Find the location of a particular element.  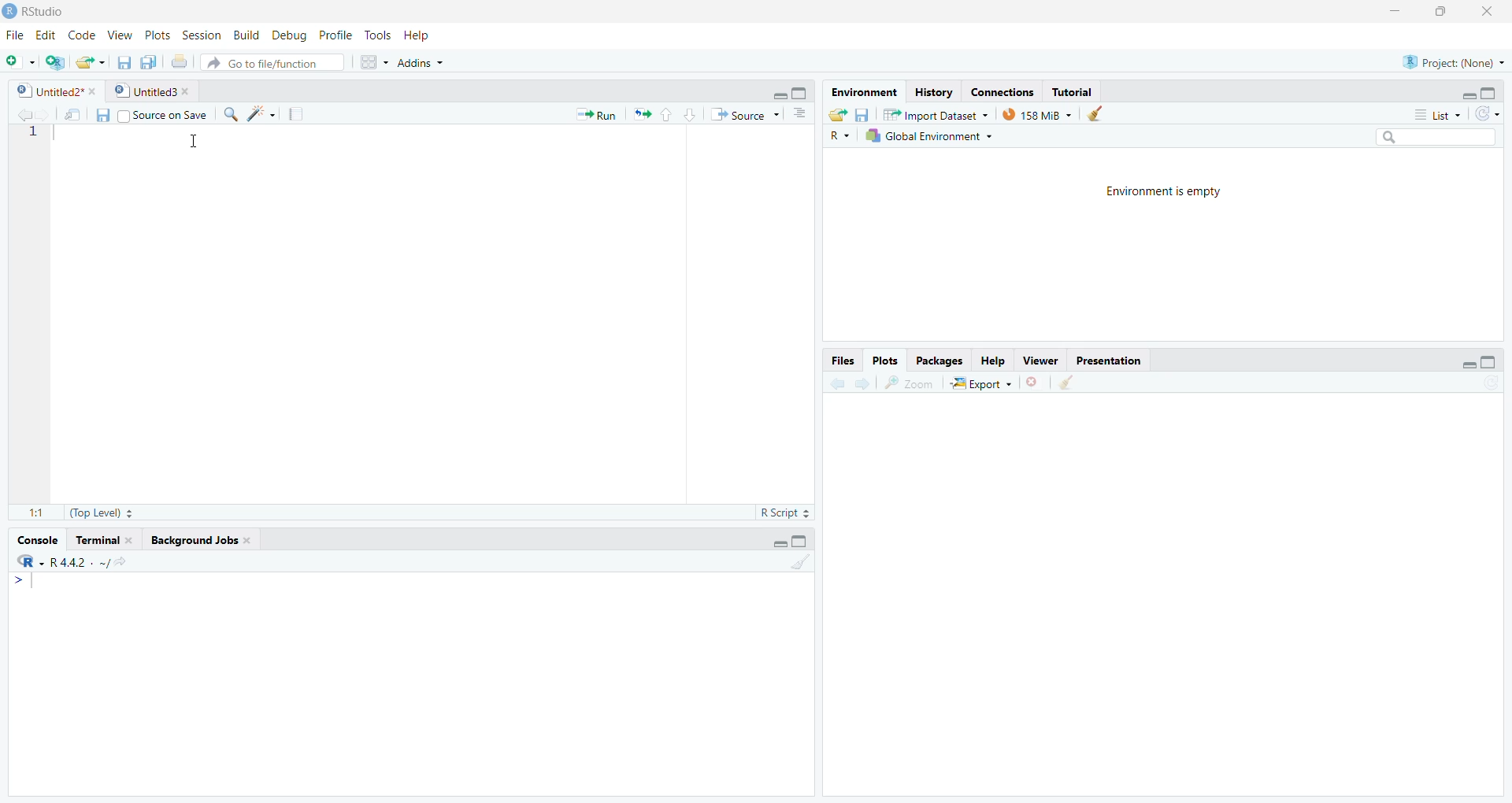

find replace is located at coordinates (229, 113).